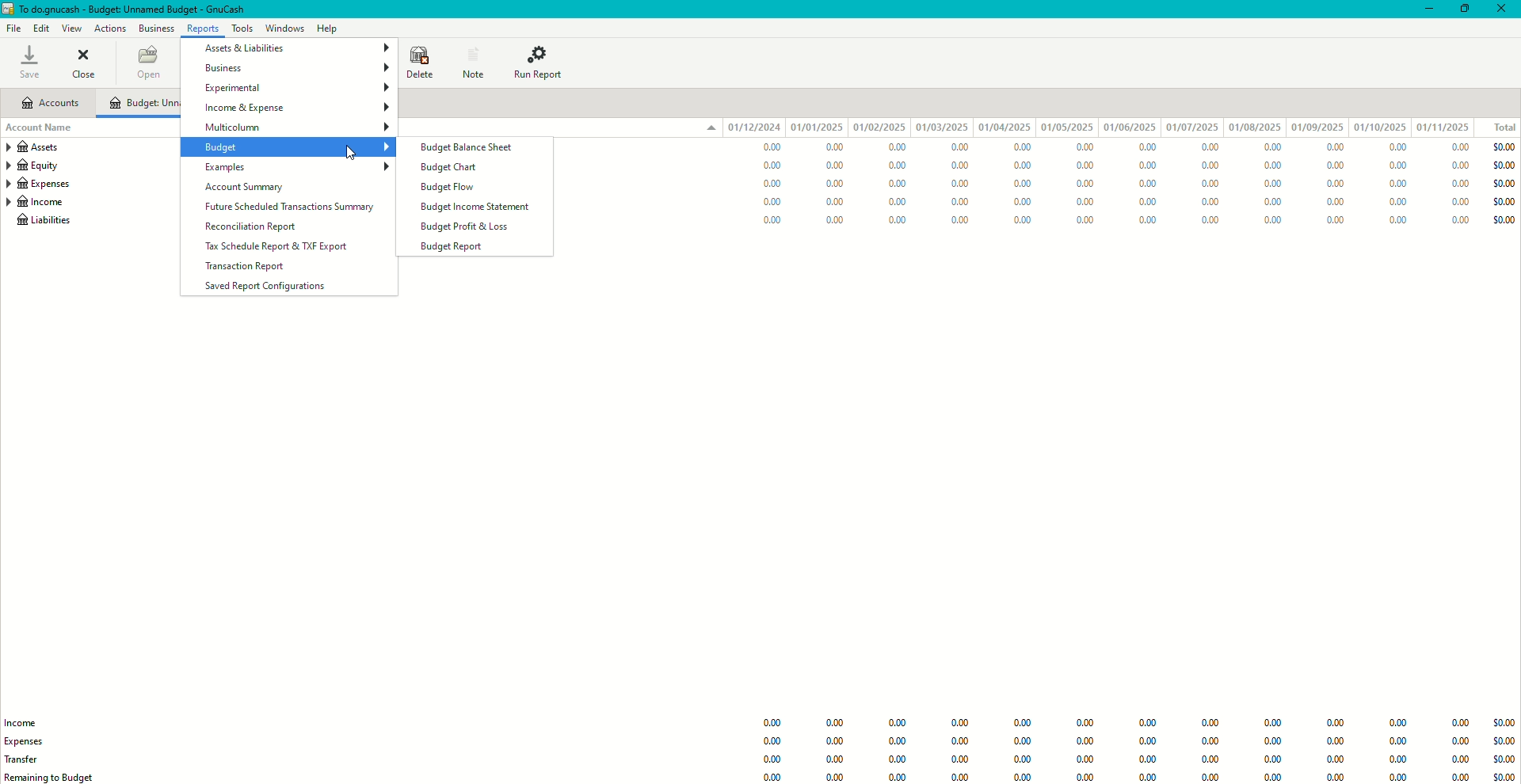  Describe the element at coordinates (960, 741) in the screenshot. I see `0.00` at that location.